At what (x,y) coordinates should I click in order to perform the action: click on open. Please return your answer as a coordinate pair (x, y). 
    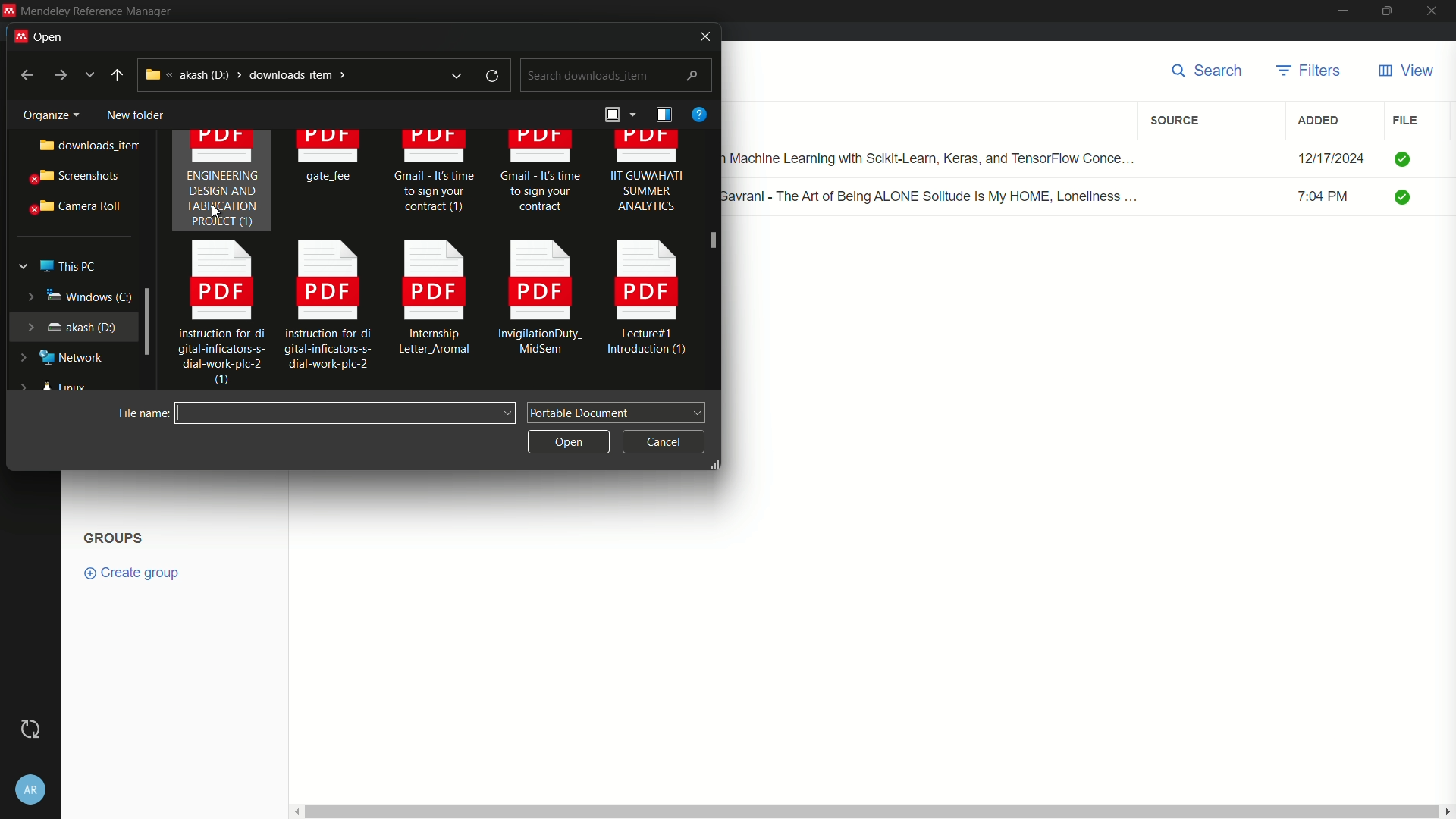
    Looking at the image, I should click on (46, 35).